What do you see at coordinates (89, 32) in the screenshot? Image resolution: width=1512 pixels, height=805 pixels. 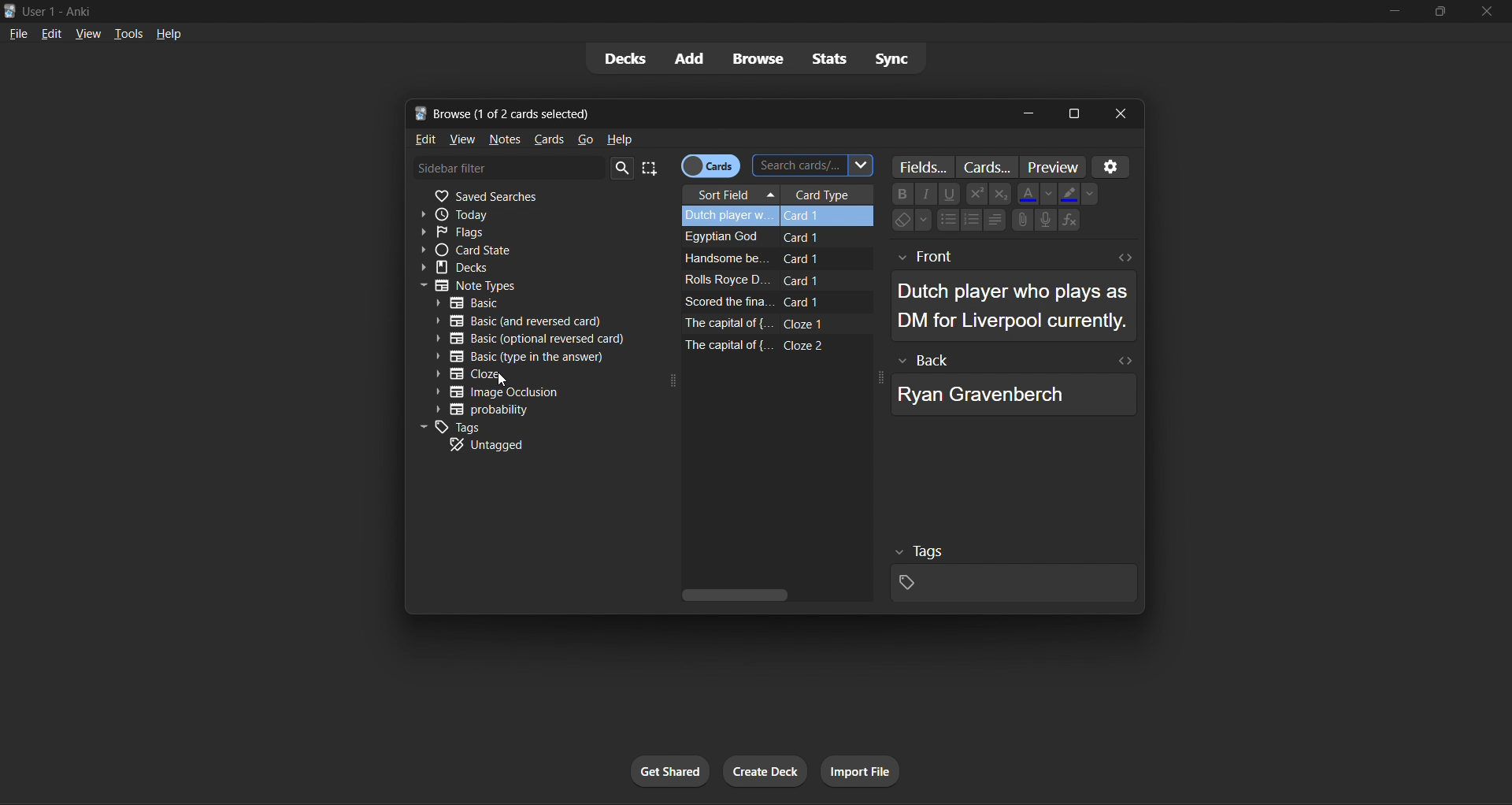 I see `view` at bounding box center [89, 32].